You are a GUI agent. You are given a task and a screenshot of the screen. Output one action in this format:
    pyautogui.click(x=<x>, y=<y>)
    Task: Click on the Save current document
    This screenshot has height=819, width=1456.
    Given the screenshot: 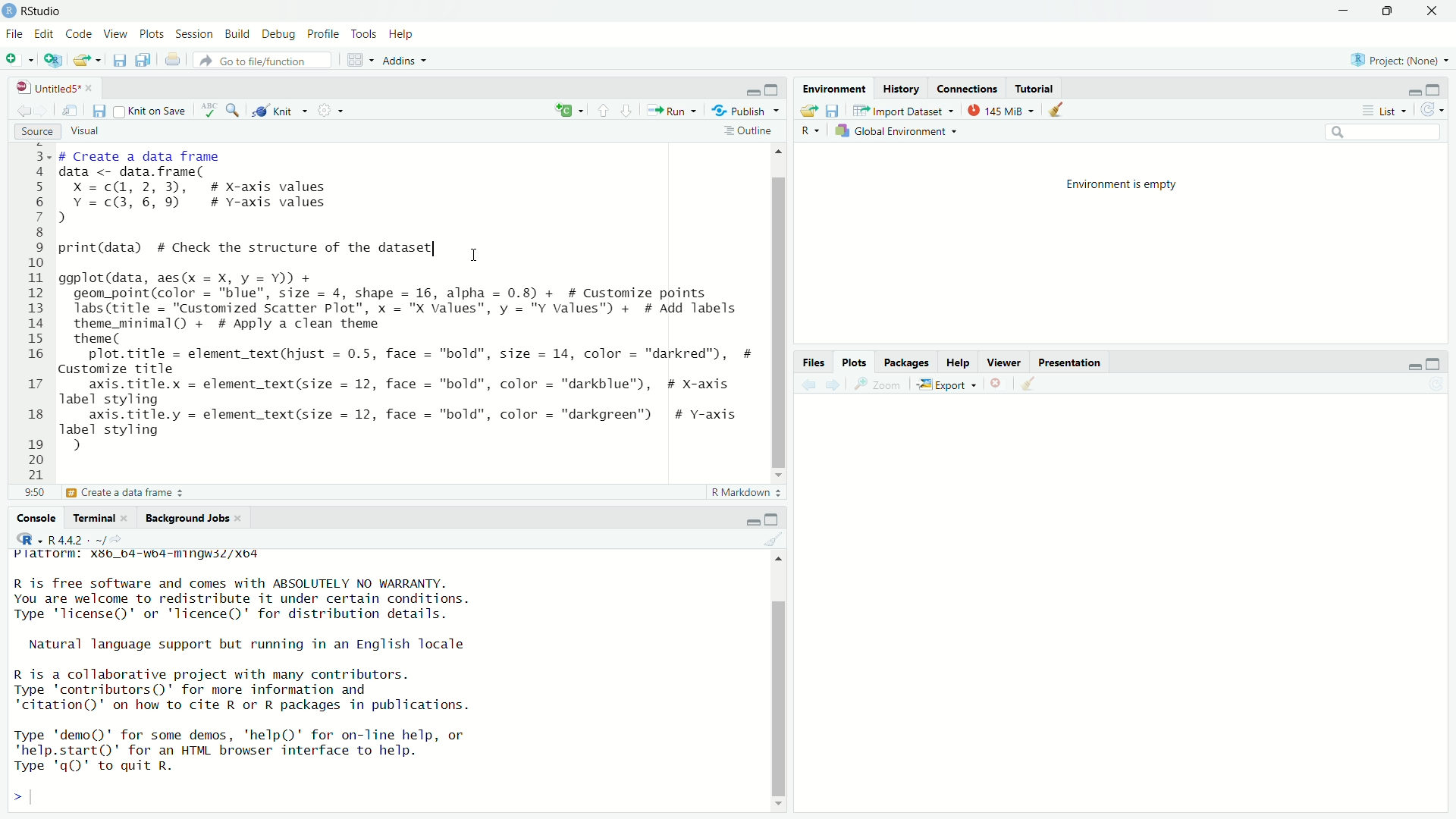 What is the action you would take?
    pyautogui.click(x=120, y=60)
    